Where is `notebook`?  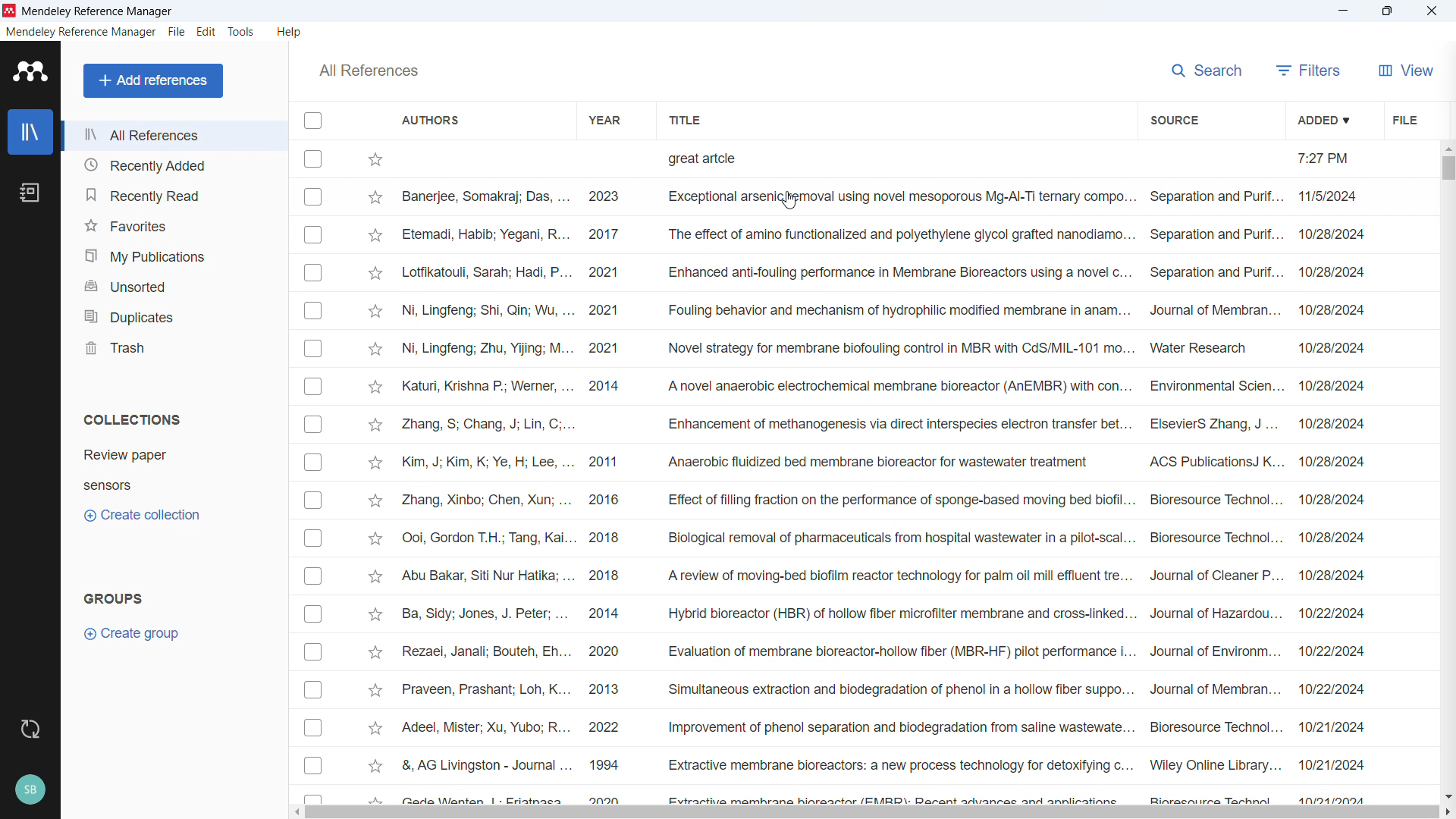 notebook is located at coordinates (30, 192).